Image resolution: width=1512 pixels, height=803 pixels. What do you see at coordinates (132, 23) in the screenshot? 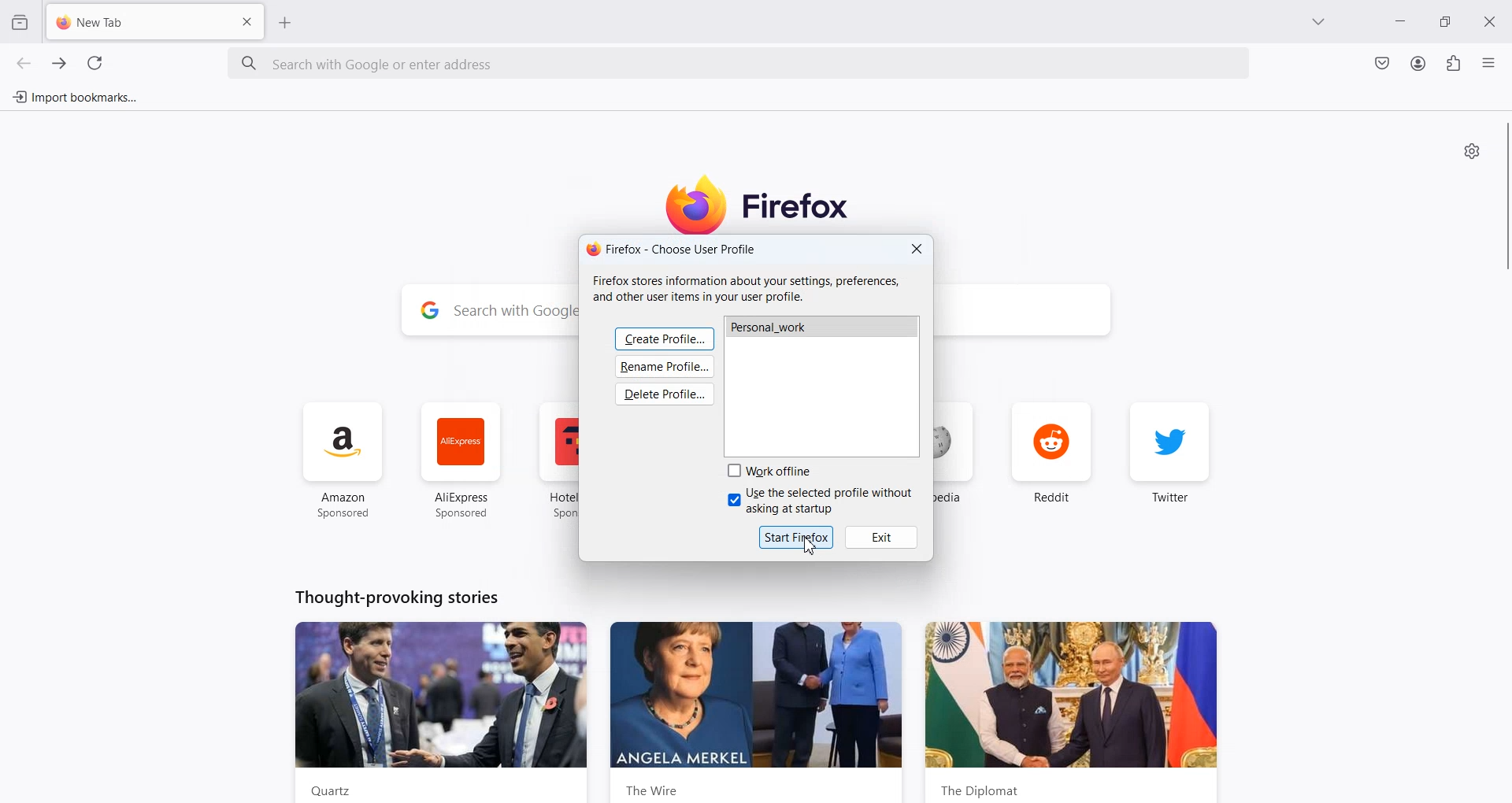
I see `New Tab` at bounding box center [132, 23].